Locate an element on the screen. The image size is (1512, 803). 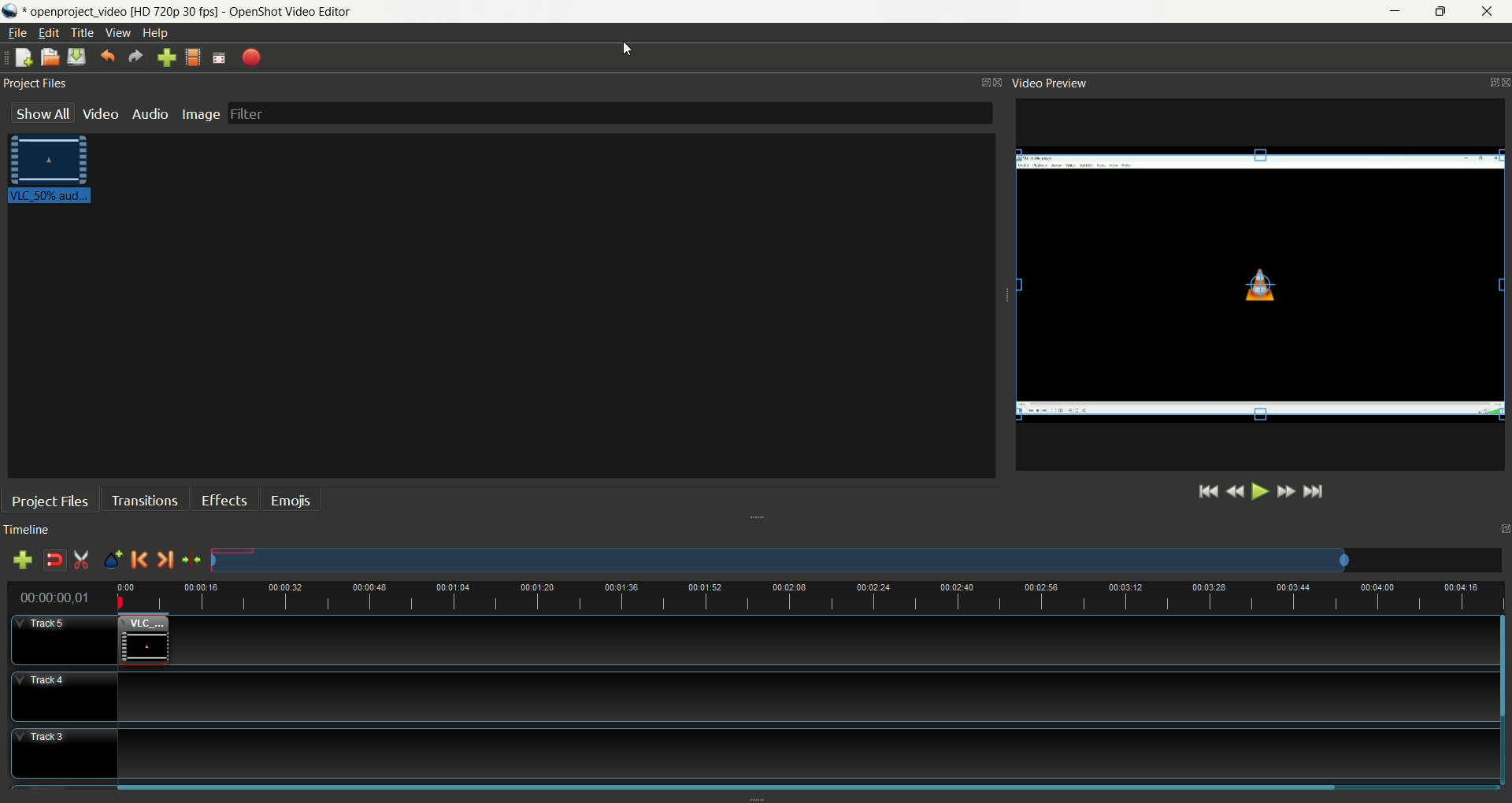
transitions is located at coordinates (145, 500).